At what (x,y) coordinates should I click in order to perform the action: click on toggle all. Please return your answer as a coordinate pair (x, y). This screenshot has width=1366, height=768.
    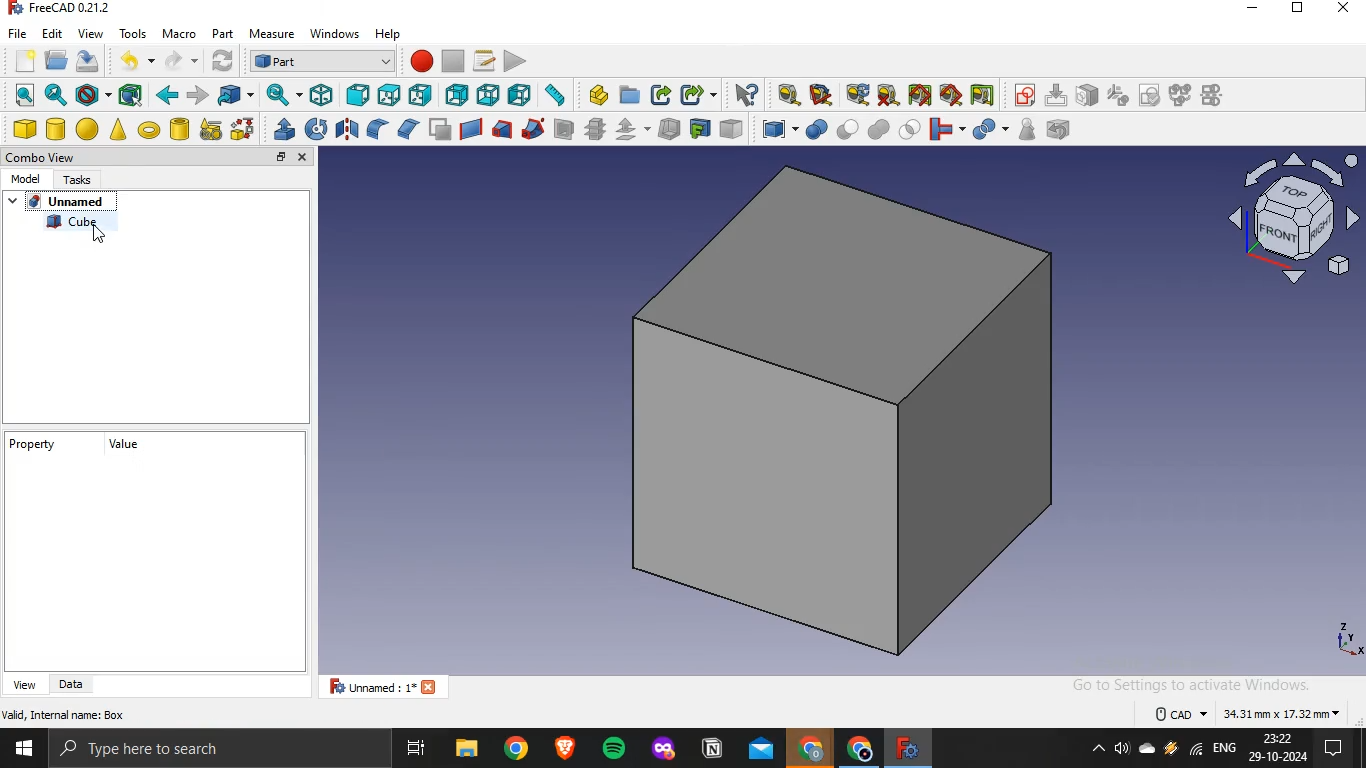
    Looking at the image, I should click on (919, 95).